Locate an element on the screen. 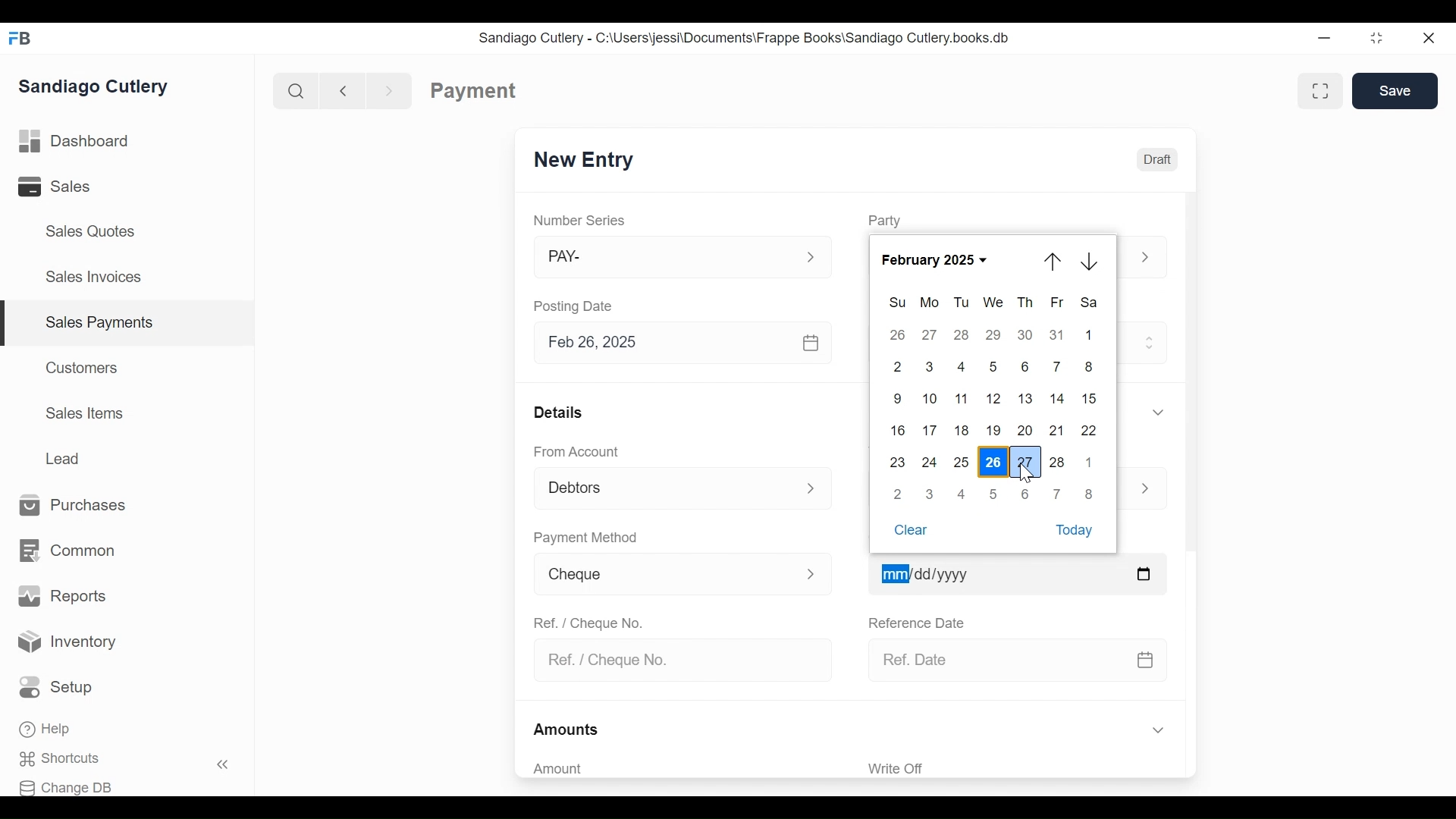  Payment Method is located at coordinates (585, 538).